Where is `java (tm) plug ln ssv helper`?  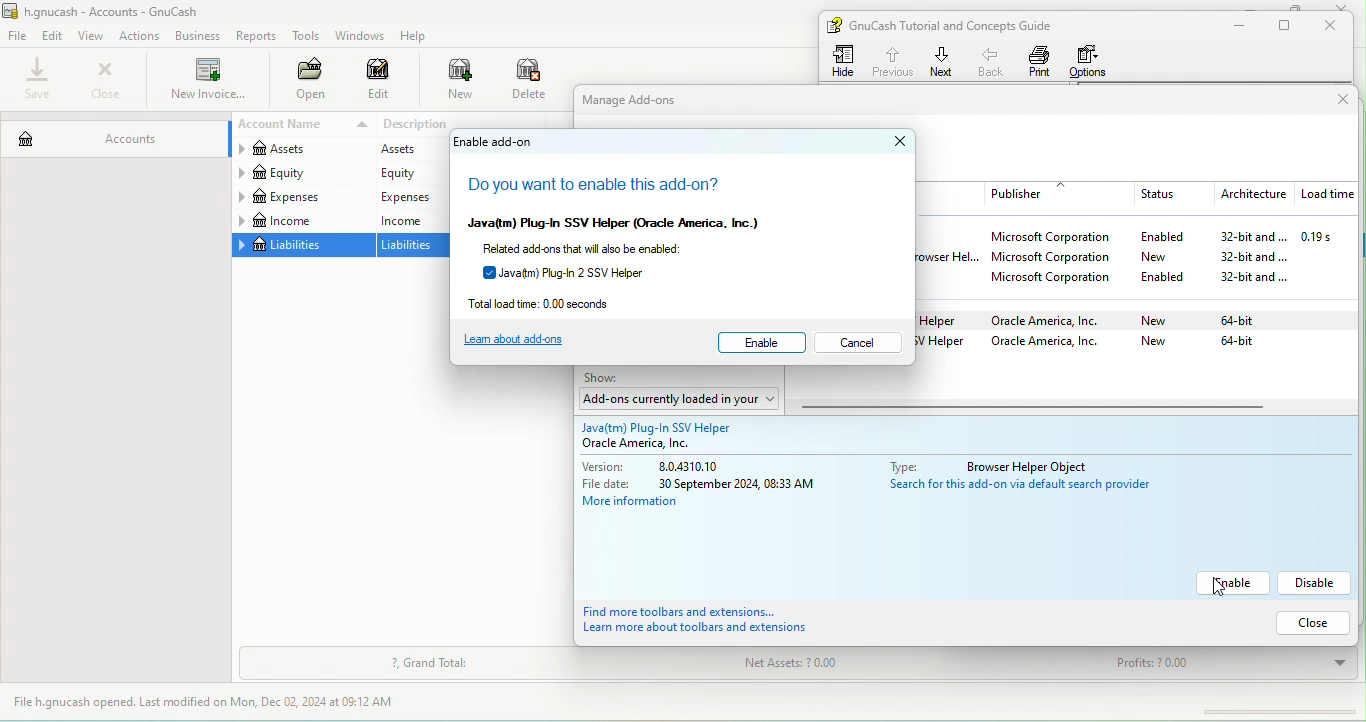 java (tm) plug ln ssv helper is located at coordinates (943, 320).